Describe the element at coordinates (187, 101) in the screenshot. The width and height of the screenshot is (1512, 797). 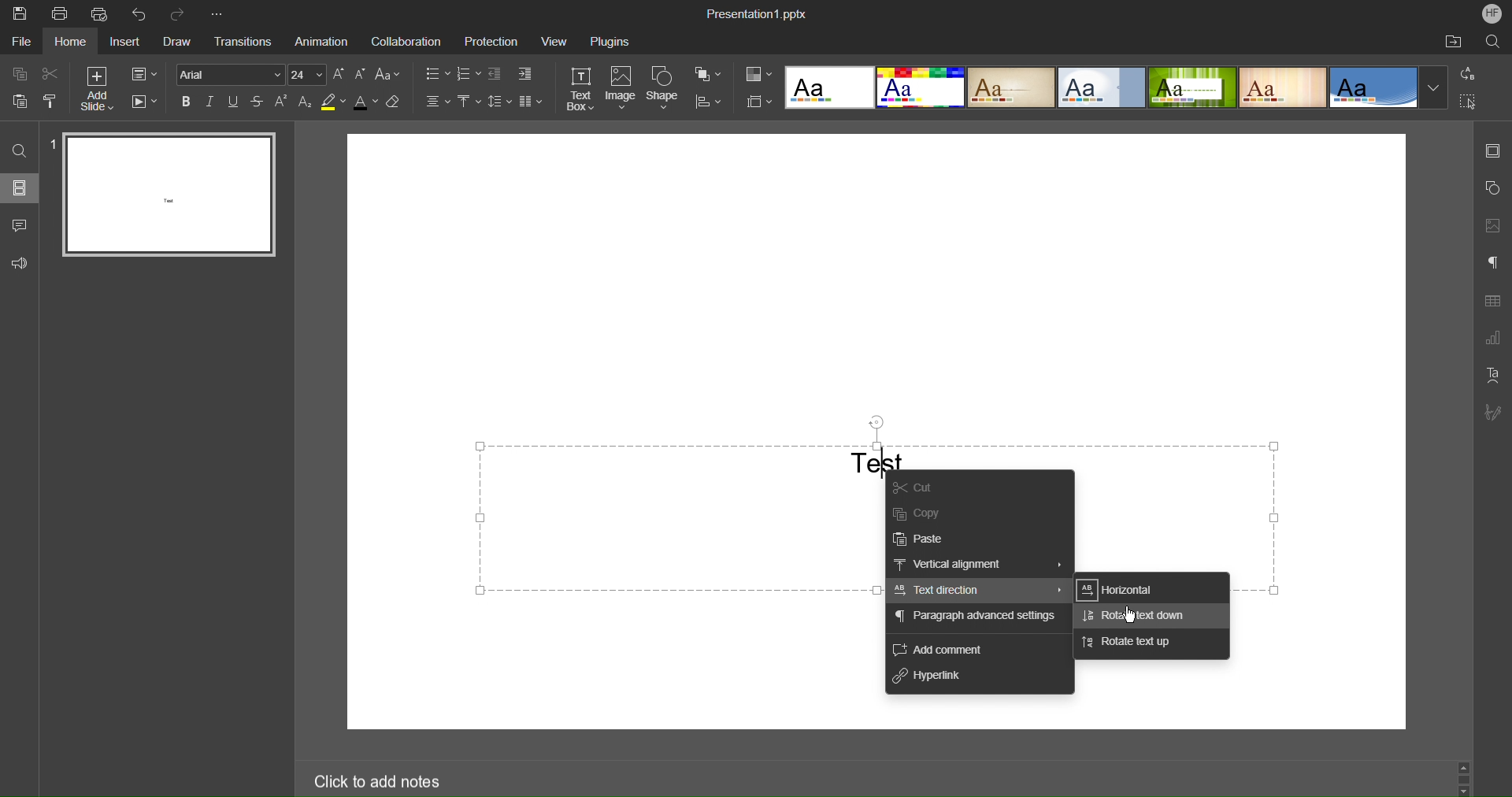
I see `Bold` at that location.